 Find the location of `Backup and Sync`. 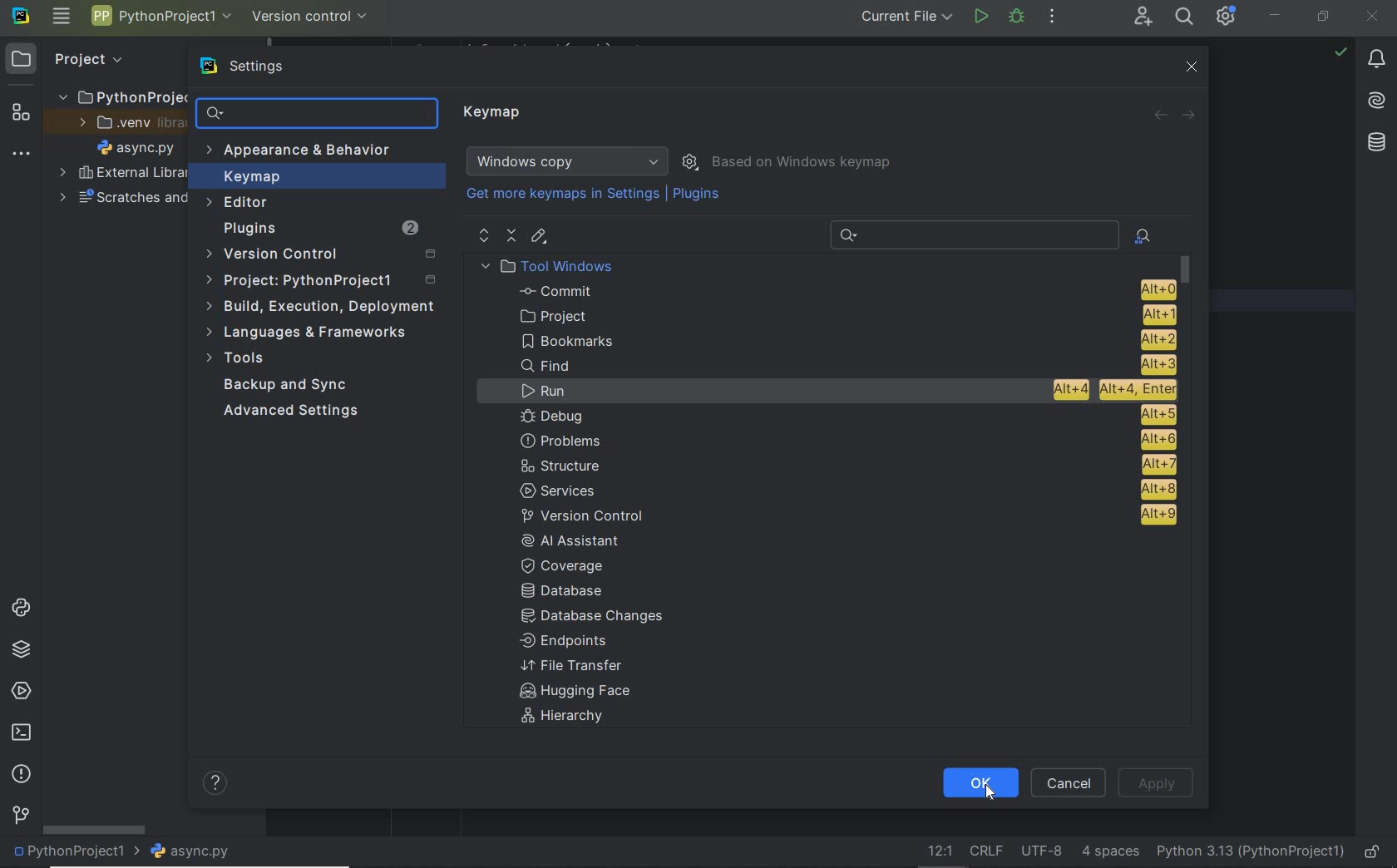

Backup and Sync is located at coordinates (287, 386).